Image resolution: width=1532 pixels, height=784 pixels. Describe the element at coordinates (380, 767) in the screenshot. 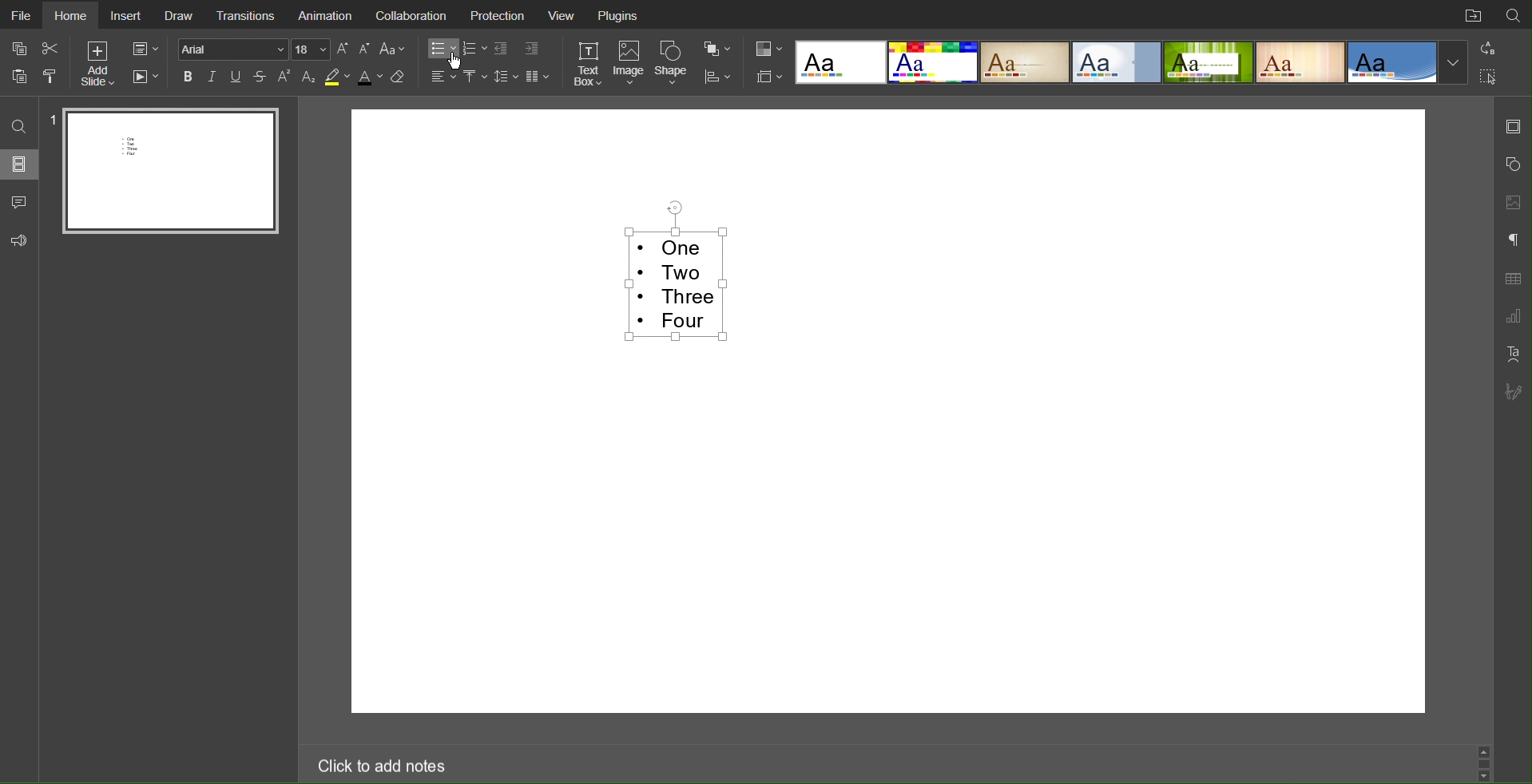

I see `Click to add notes` at that location.